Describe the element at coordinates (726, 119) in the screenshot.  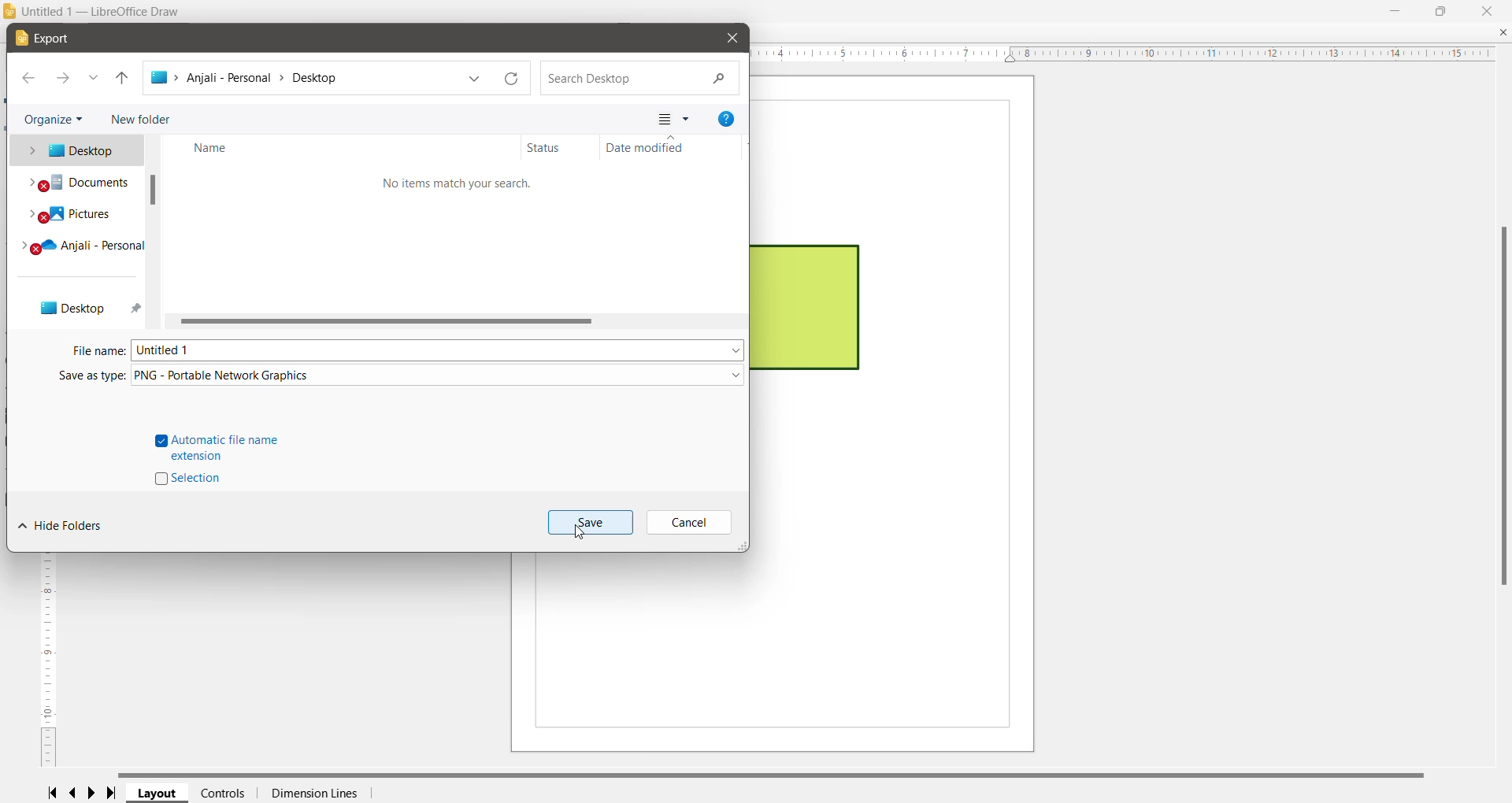
I see `Get help` at that location.